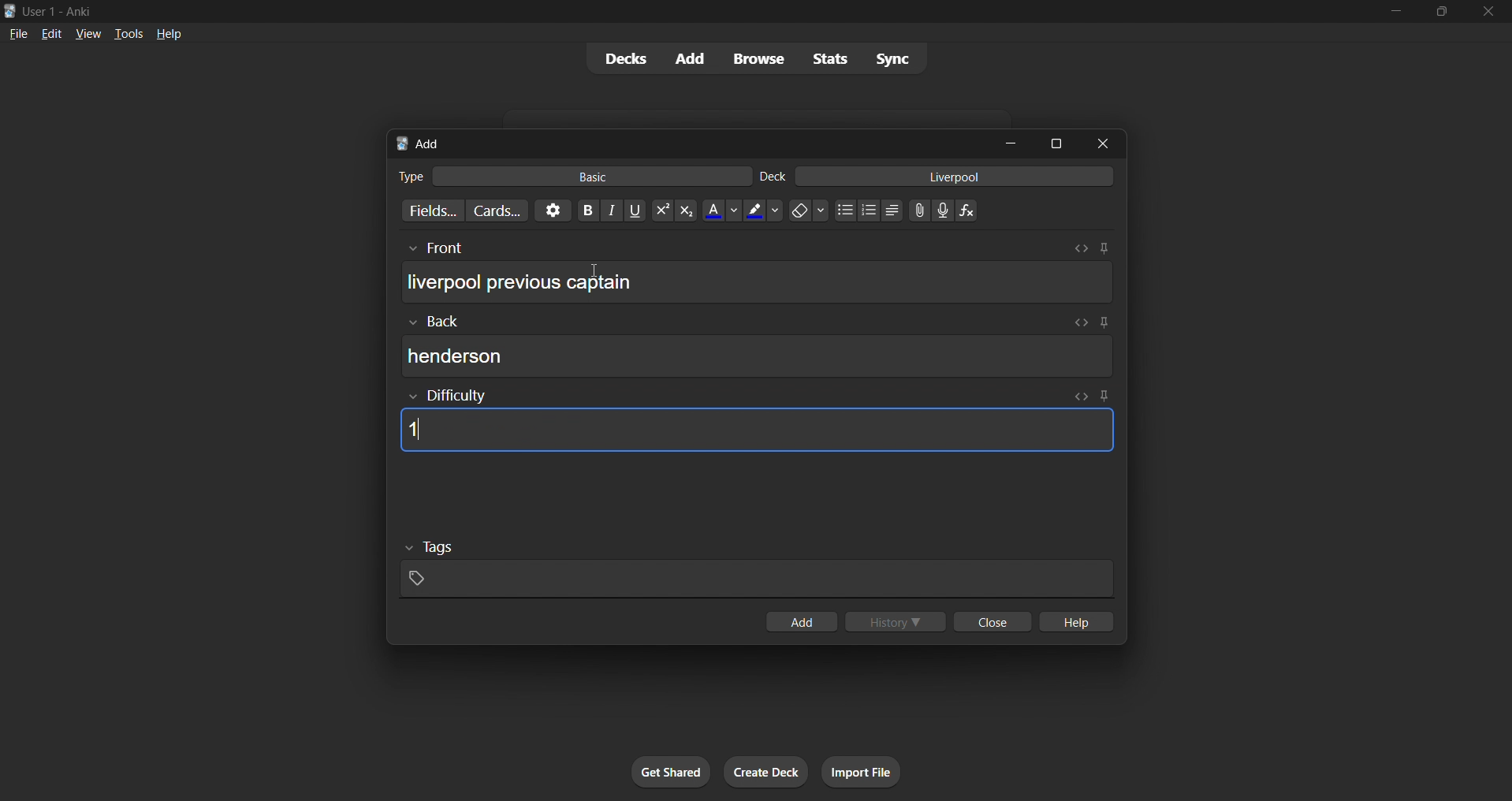 This screenshot has width=1512, height=801. Describe the element at coordinates (689, 141) in the screenshot. I see `add card title bar` at that location.